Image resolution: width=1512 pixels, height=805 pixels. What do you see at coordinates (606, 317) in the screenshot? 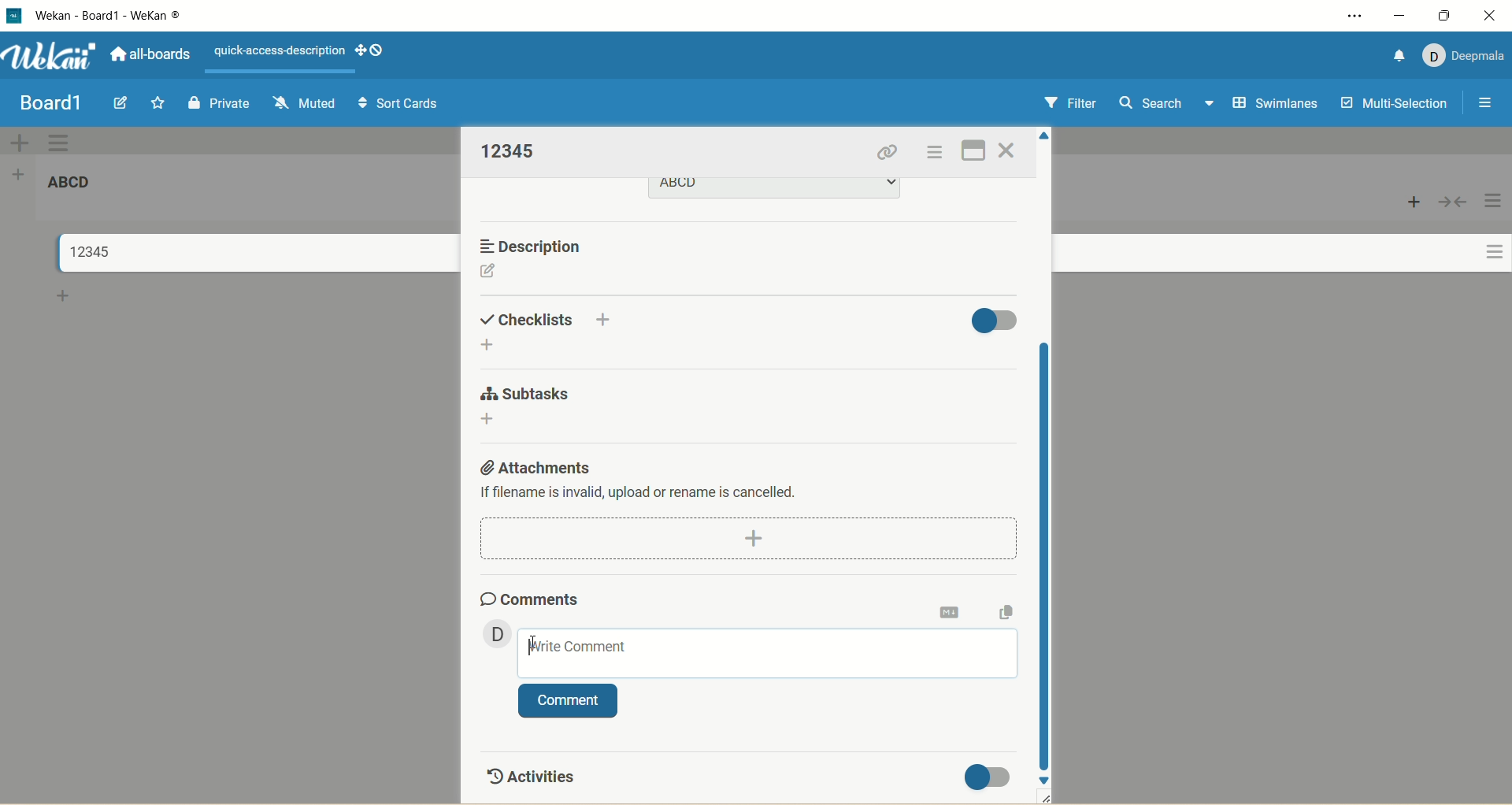
I see `add` at bounding box center [606, 317].